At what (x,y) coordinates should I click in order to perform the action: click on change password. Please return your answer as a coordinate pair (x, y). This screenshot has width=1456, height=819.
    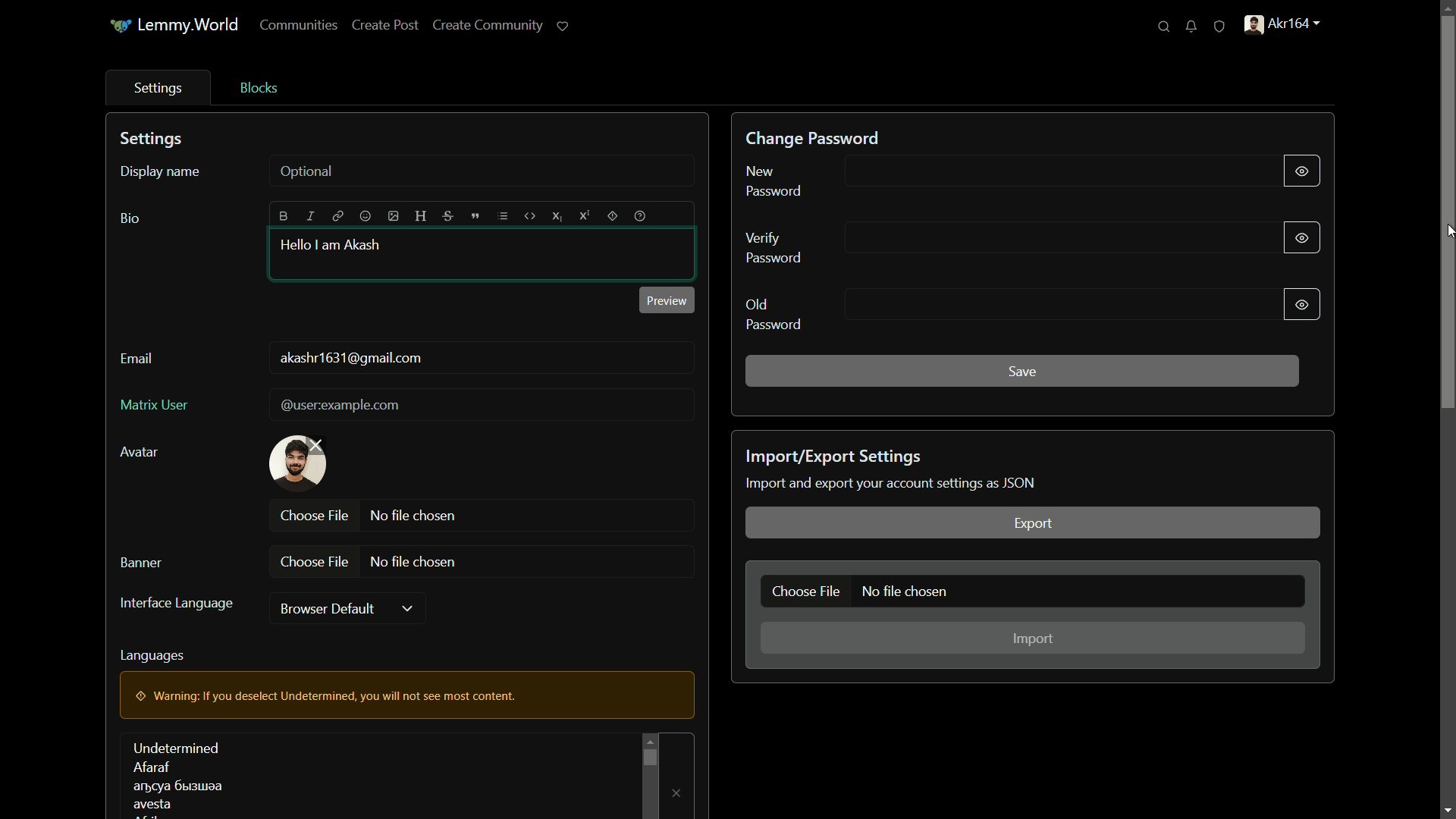
    Looking at the image, I should click on (811, 139).